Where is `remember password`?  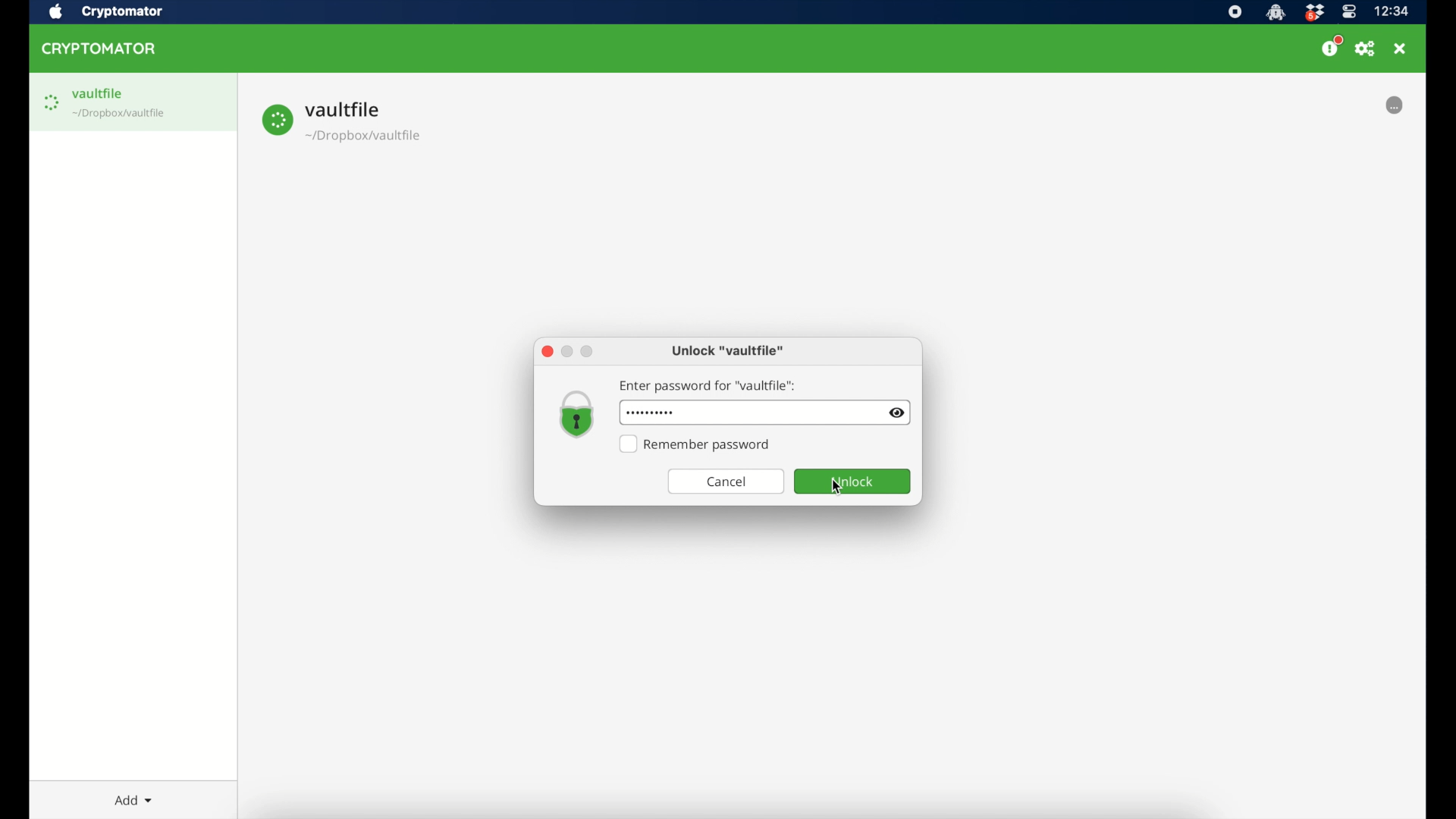 remember password is located at coordinates (695, 444).